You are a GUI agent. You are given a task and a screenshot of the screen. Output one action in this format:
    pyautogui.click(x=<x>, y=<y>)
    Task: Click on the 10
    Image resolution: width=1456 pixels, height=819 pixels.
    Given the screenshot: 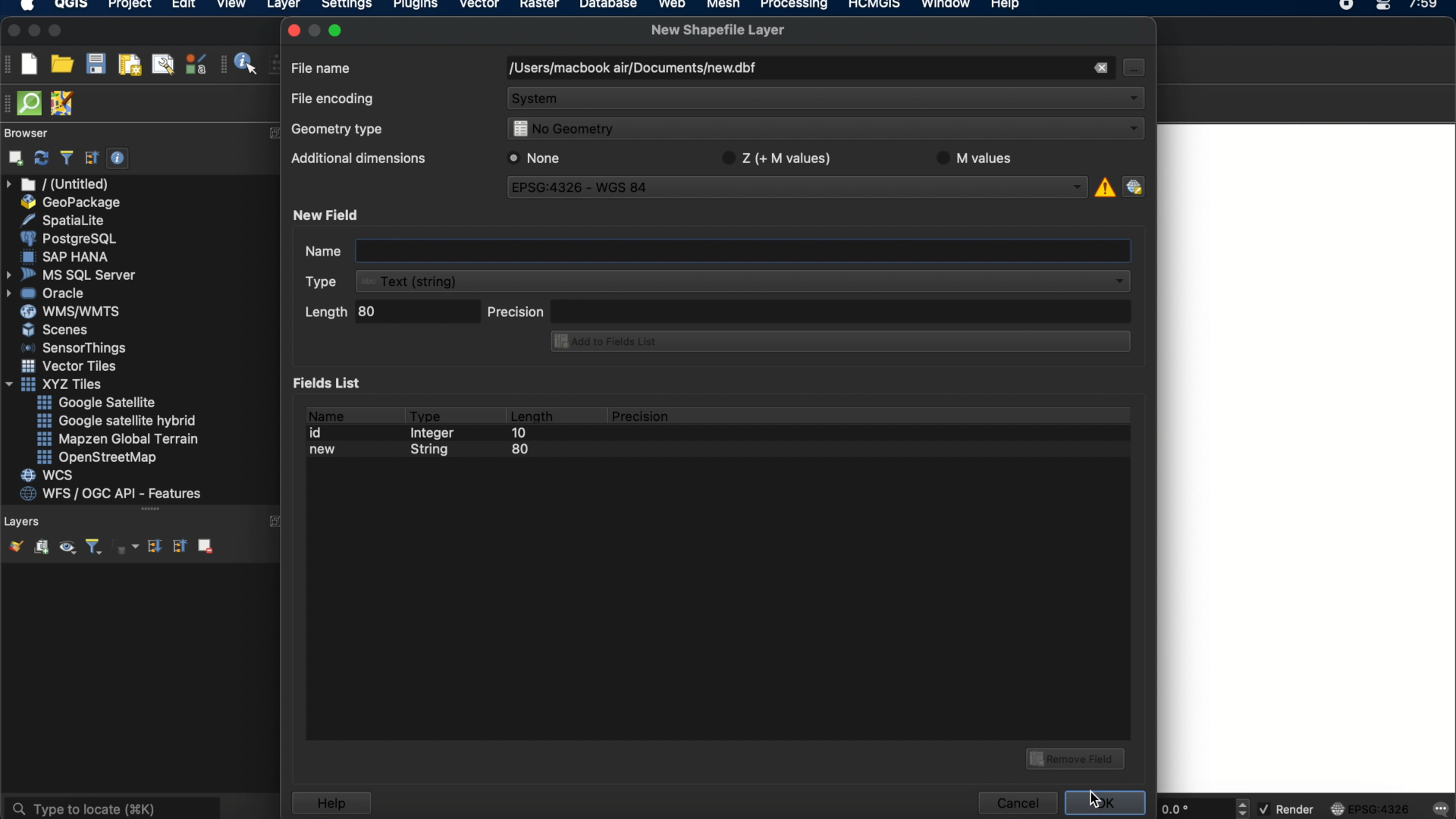 What is the action you would take?
    pyautogui.click(x=518, y=435)
    